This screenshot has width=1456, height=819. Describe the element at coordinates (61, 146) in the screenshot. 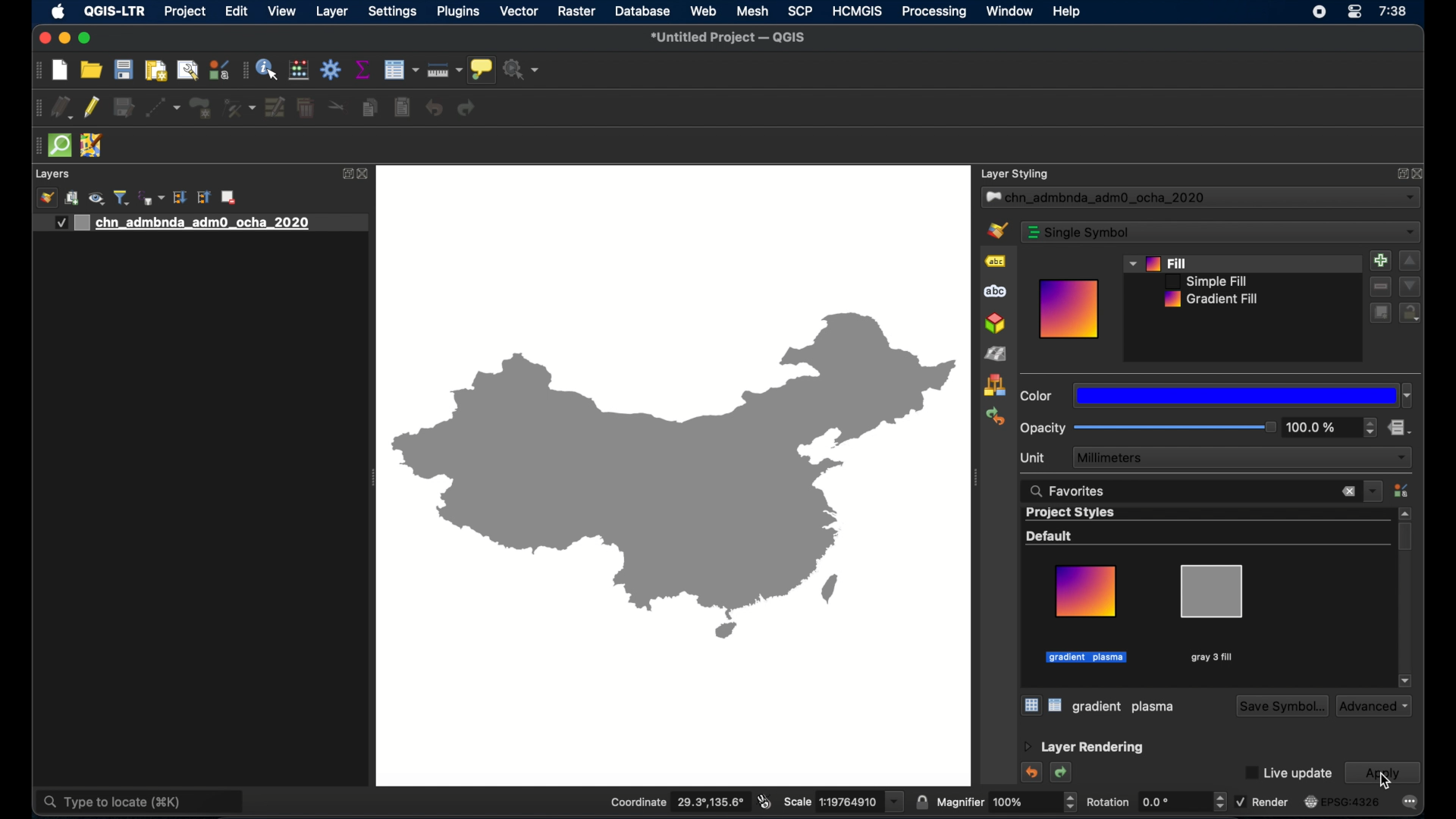

I see `quick osm` at that location.